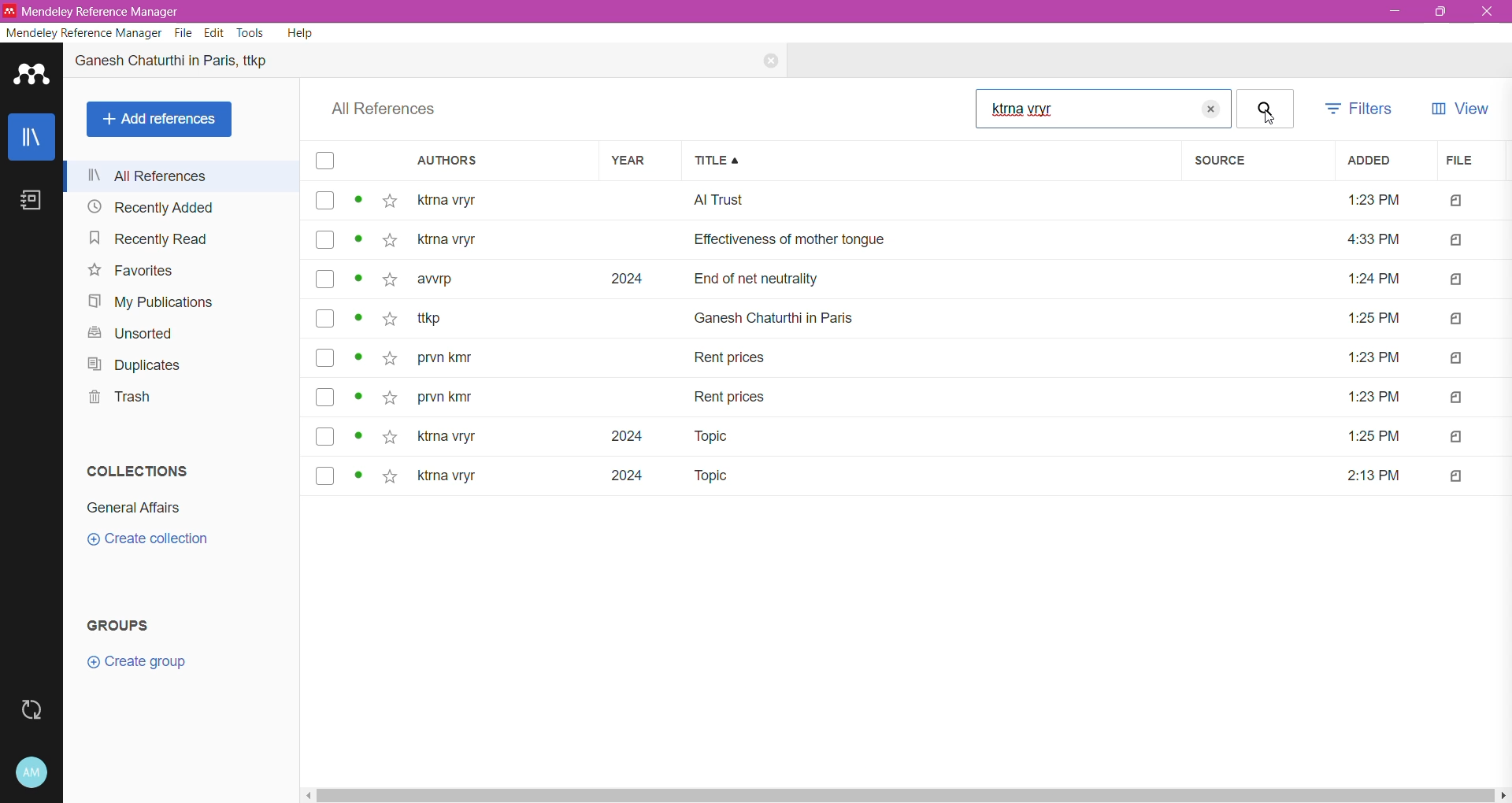 The height and width of the screenshot is (803, 1512). I want to click on Last Sync, so click(31, 711).